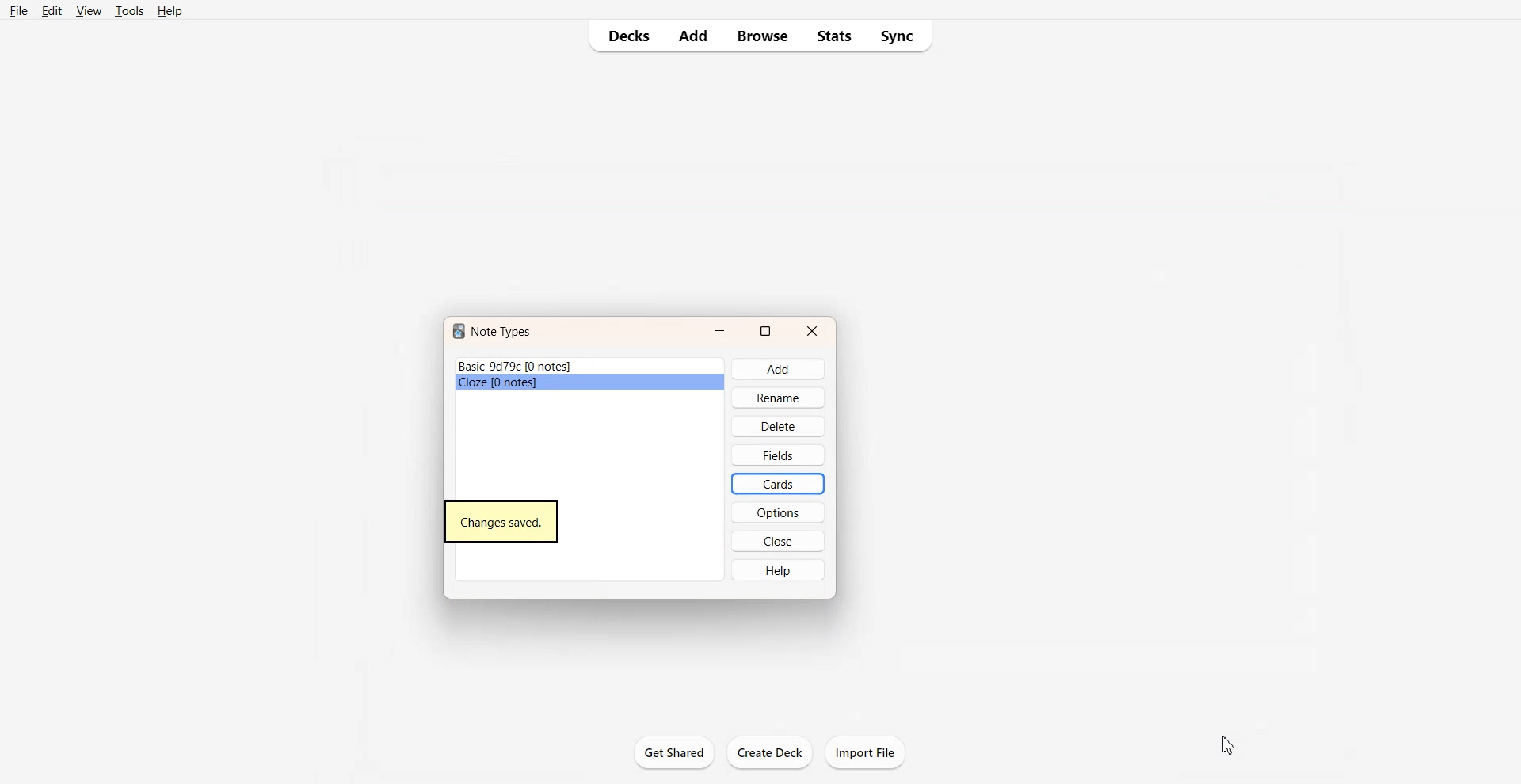  What do you see at coordinates (812, 329) in the screenshot?
I see `close` at bounding box center [812, 329].